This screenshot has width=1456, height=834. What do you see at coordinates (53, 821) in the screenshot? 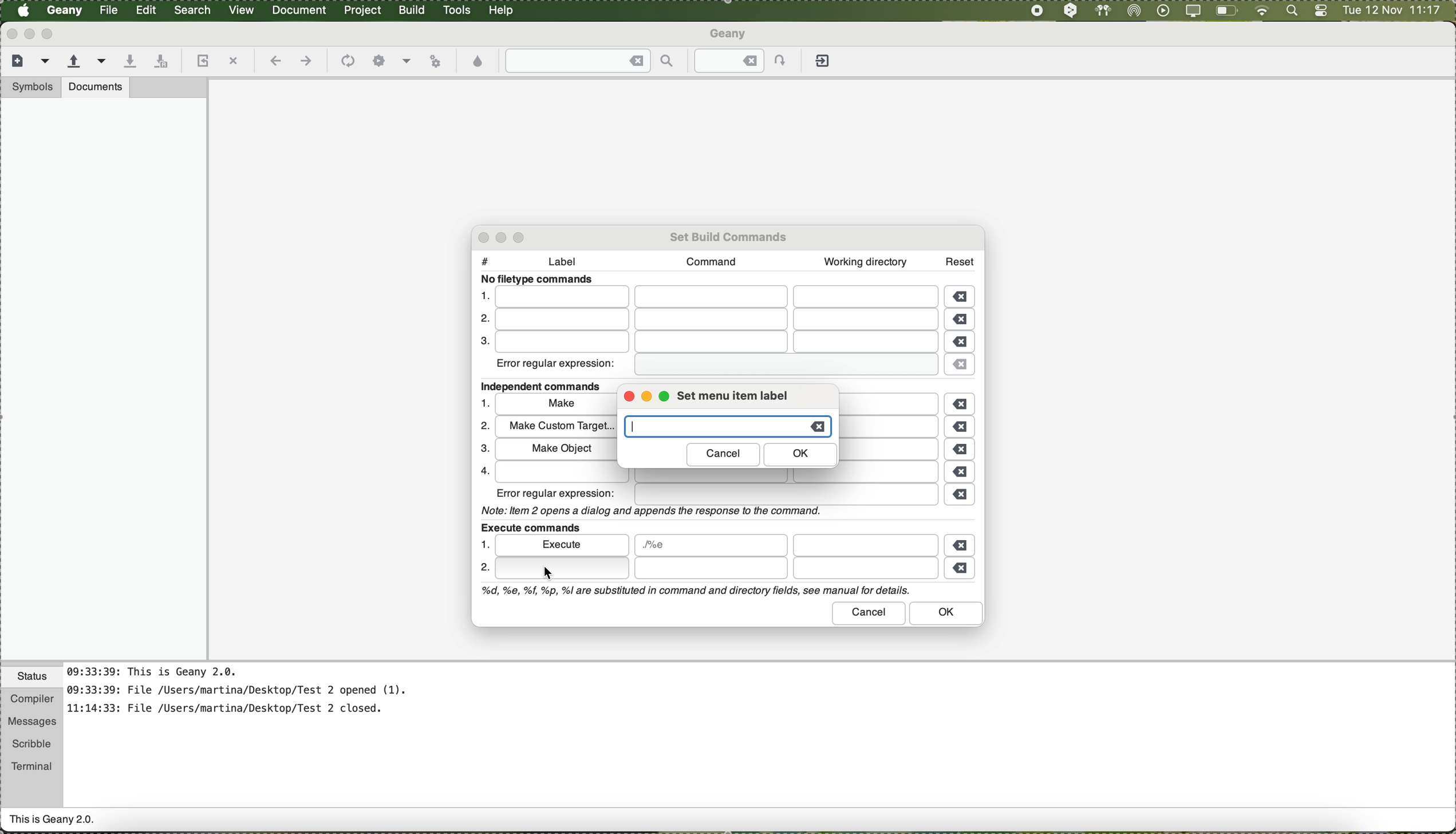
I see `this is geany 2.0` at bounding box center [53, 821].